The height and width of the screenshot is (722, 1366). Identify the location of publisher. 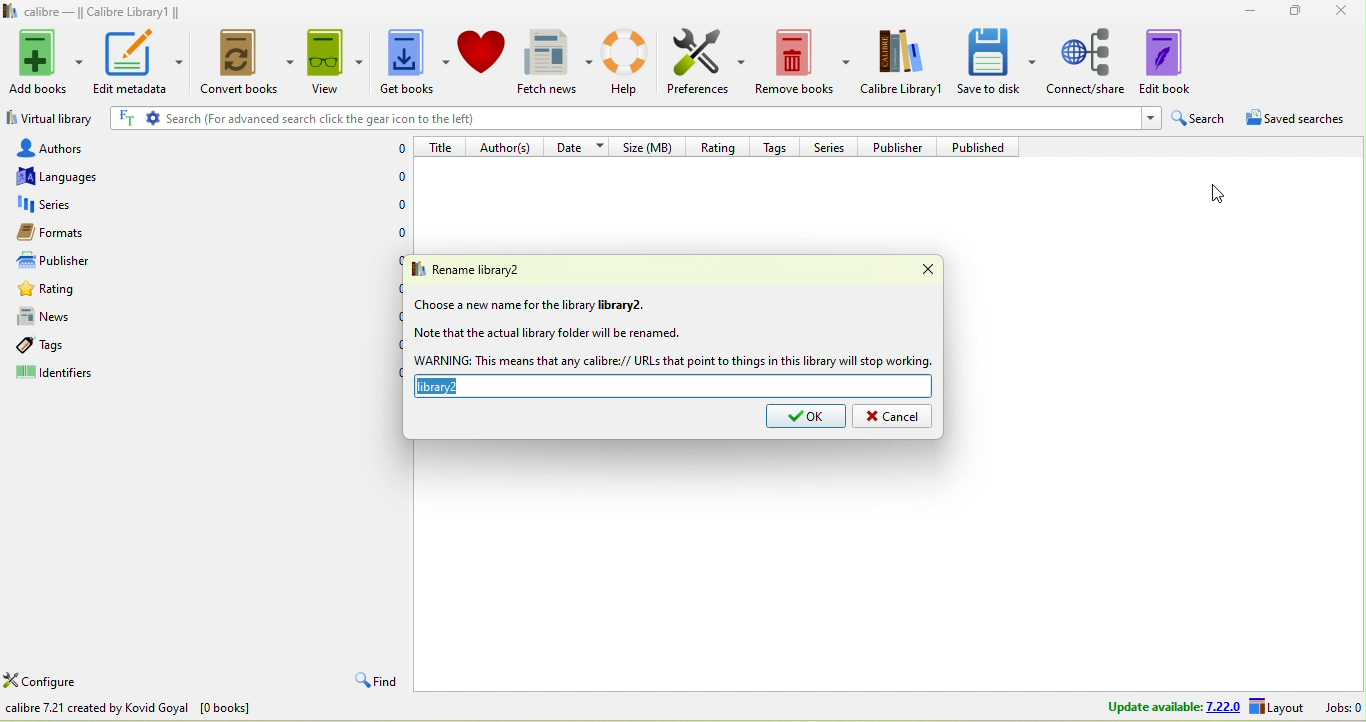
(903, 146).